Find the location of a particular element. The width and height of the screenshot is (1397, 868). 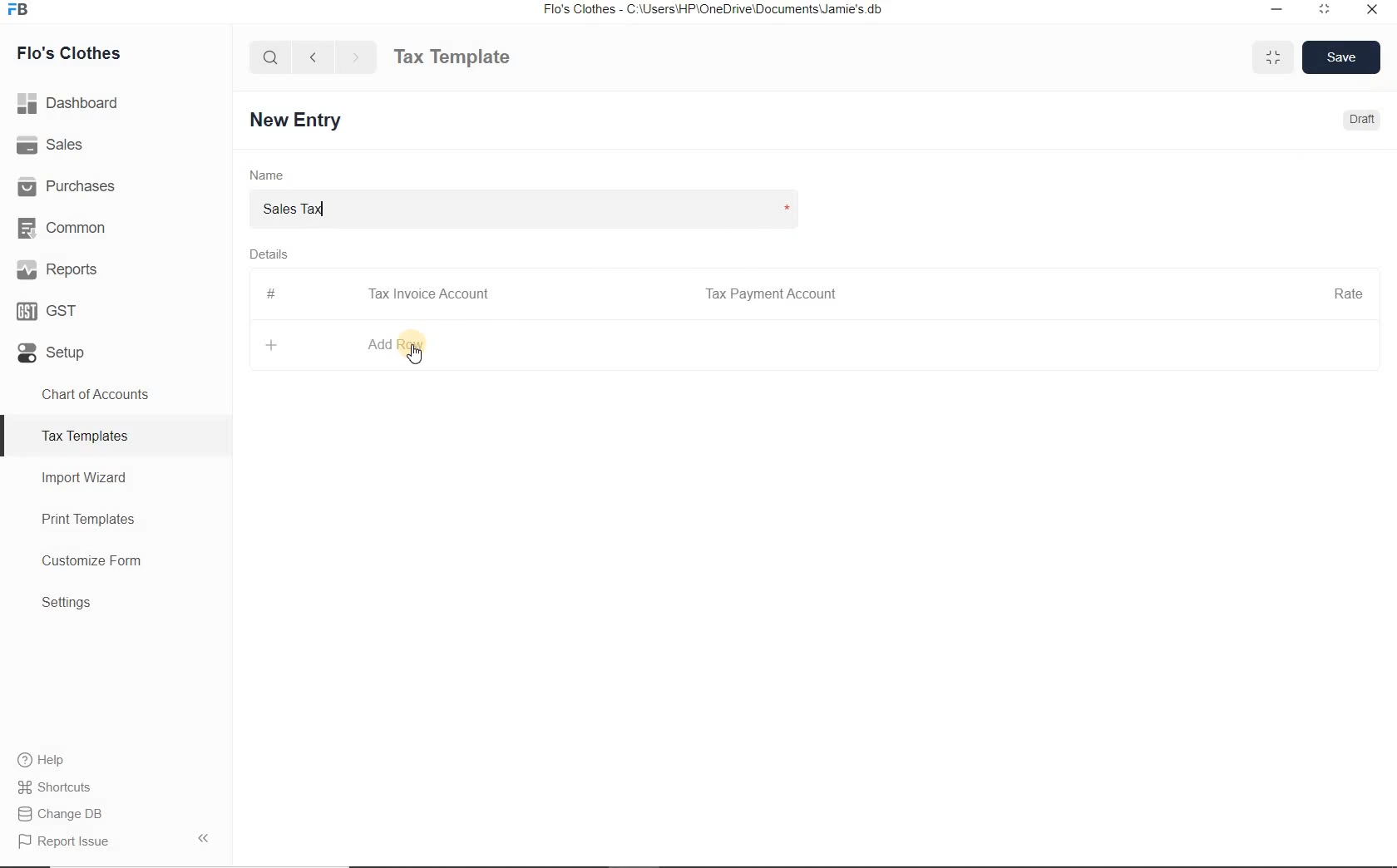

Rate is located at coordinates (1348, 292).